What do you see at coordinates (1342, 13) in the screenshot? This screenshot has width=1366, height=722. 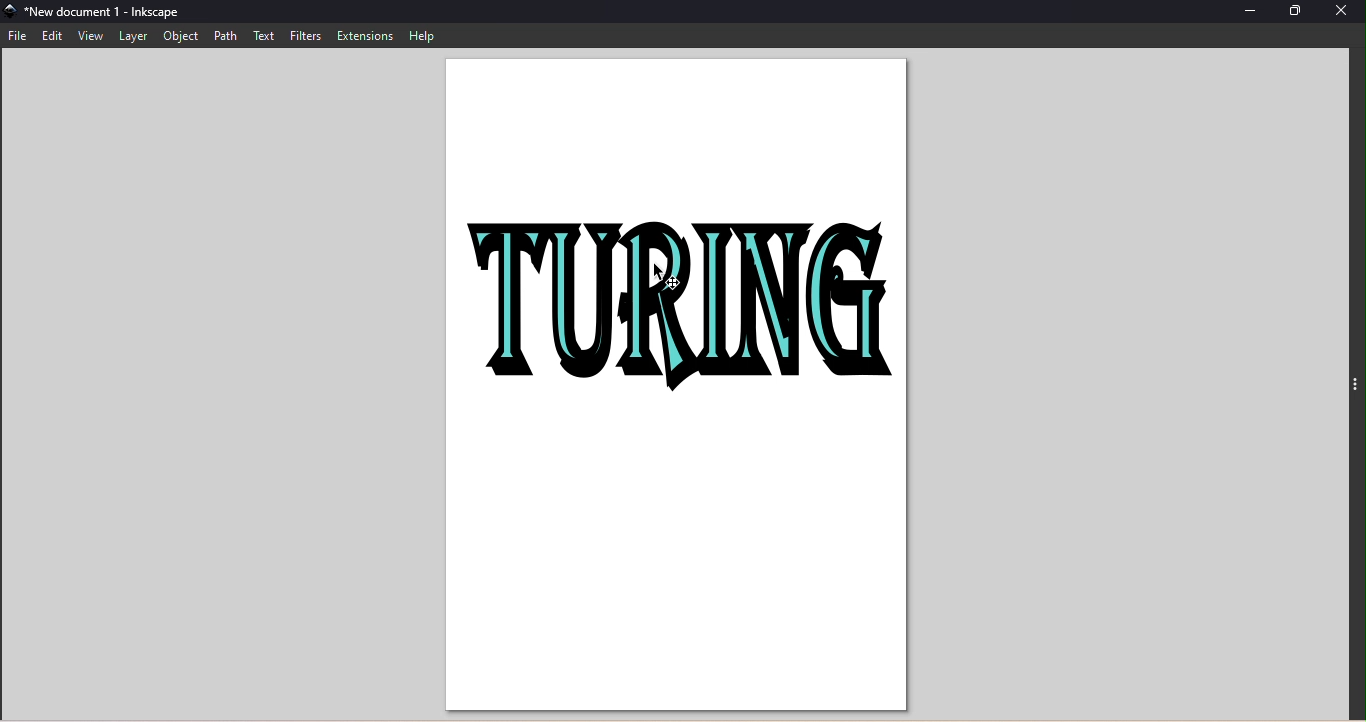 I see `Close` at bounding box center [1342, 13].